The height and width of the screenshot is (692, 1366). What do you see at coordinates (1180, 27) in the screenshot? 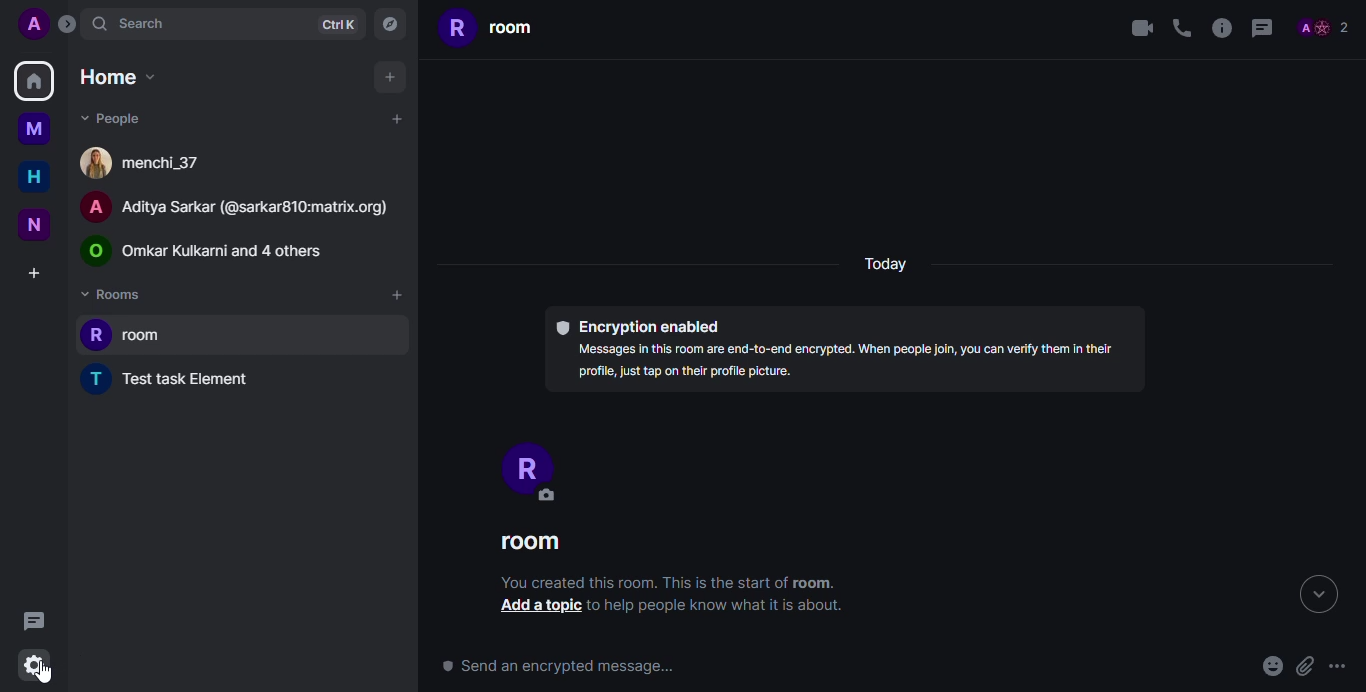
I see `voice call` at bounding box center [1180, 27].